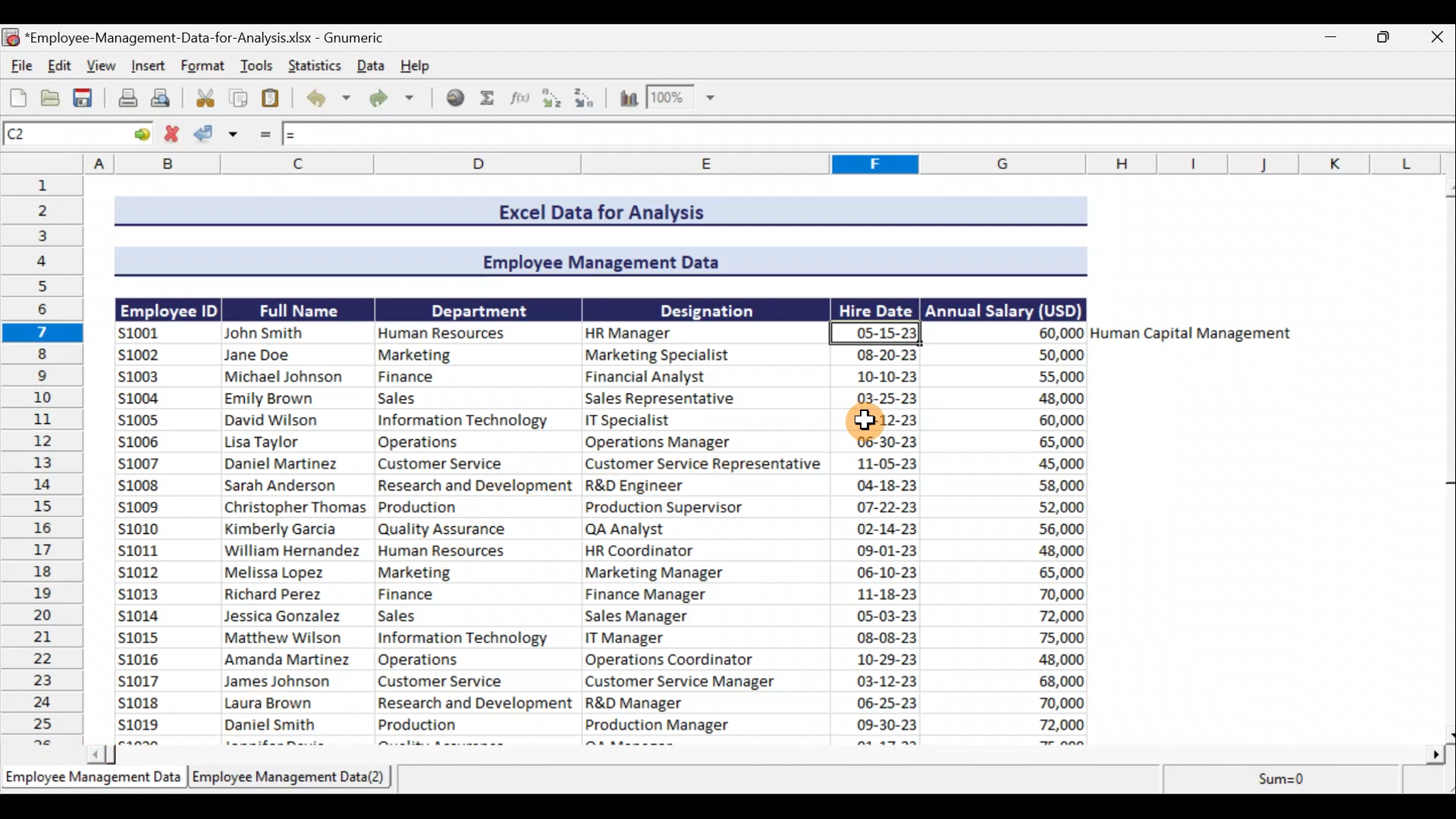 The image size is (1456, 819). What do you see at coordinates (313, 65) in the screenshot?
I see `Statistics` at bounding box center [313, 65].